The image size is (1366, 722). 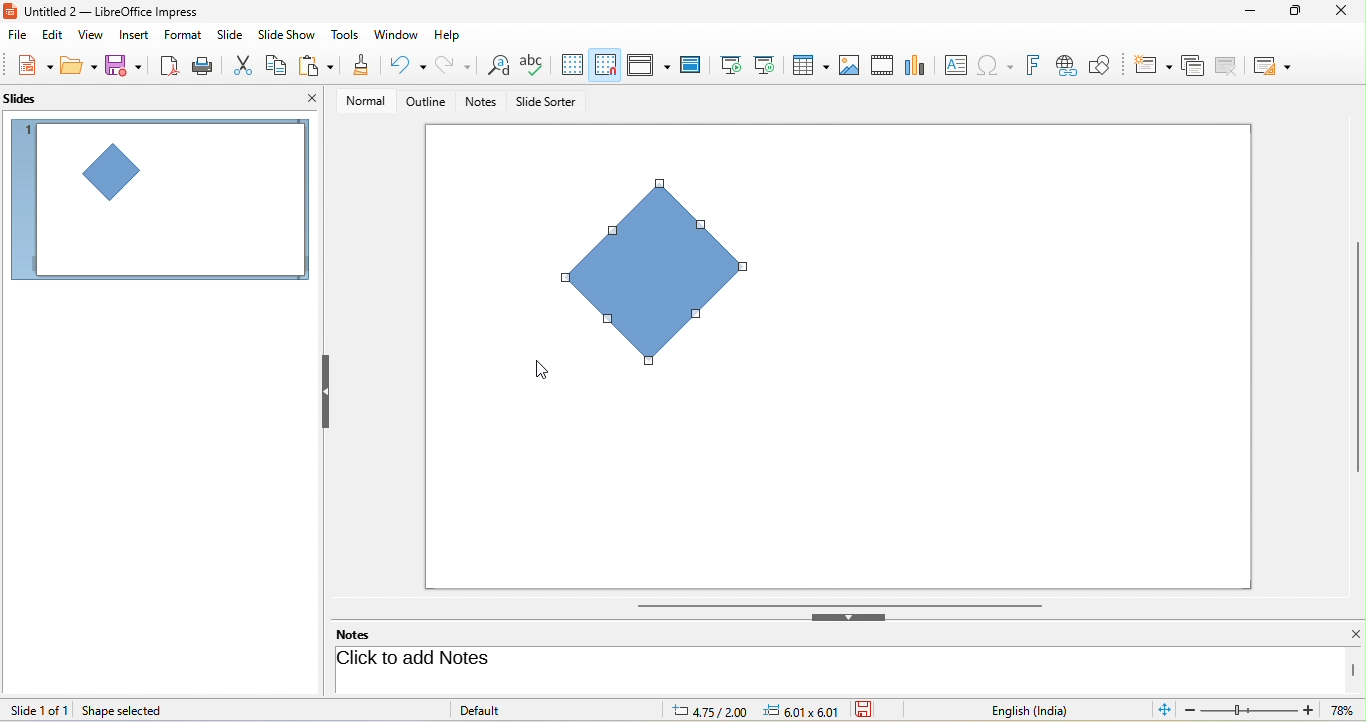 What do you see at coordinates (234, 35) in the screenshot?
I see `side` at bounding box center [234, 35].